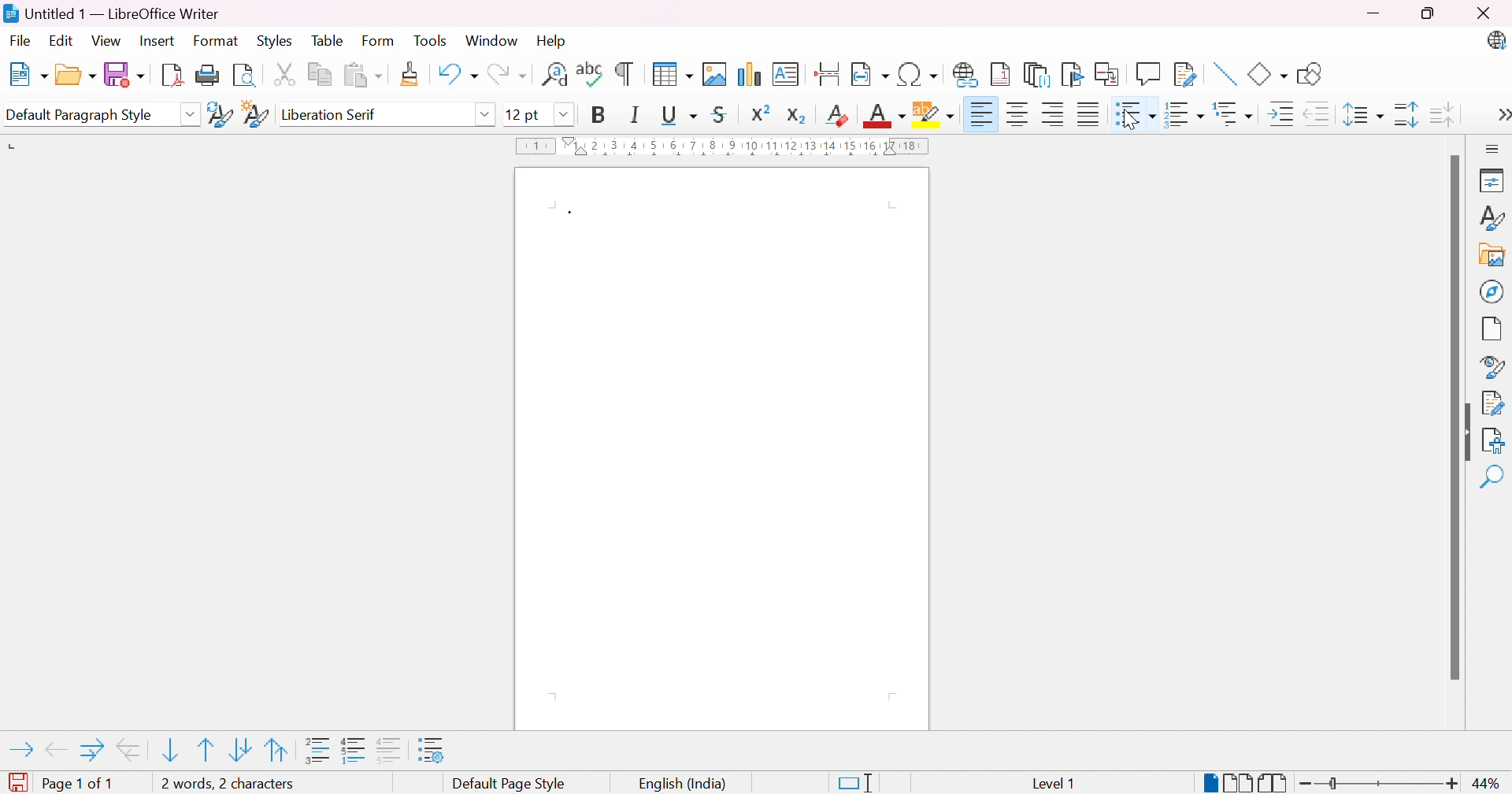  I want to click on Book view, so click(1273, 784).